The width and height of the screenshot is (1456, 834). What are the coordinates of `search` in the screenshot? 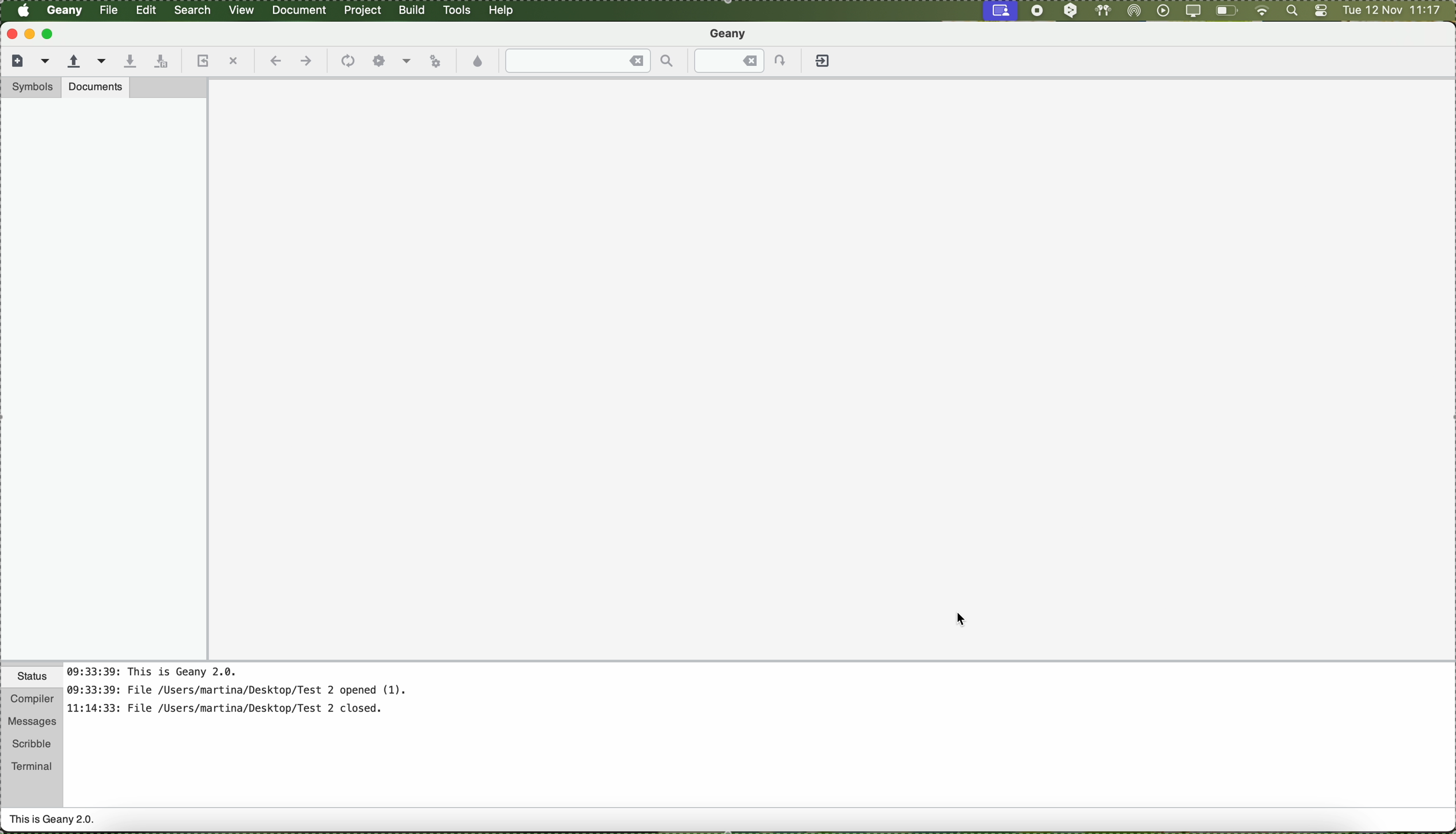 It's located at (194, 10).